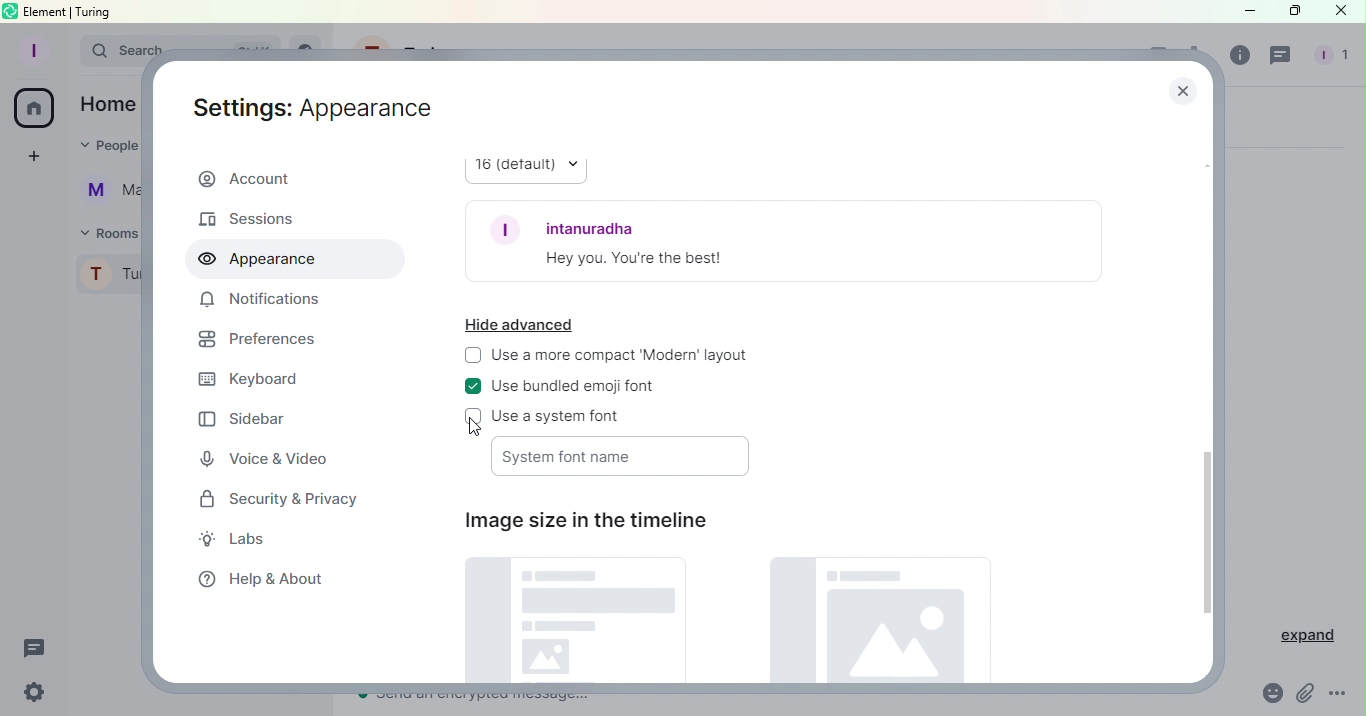 Image resolution: width=1366 pixels, height=716 pixels. What do you see at coordinates (37, 110) in the screenshot?
I see `Home` at bounding box center [37, 110].